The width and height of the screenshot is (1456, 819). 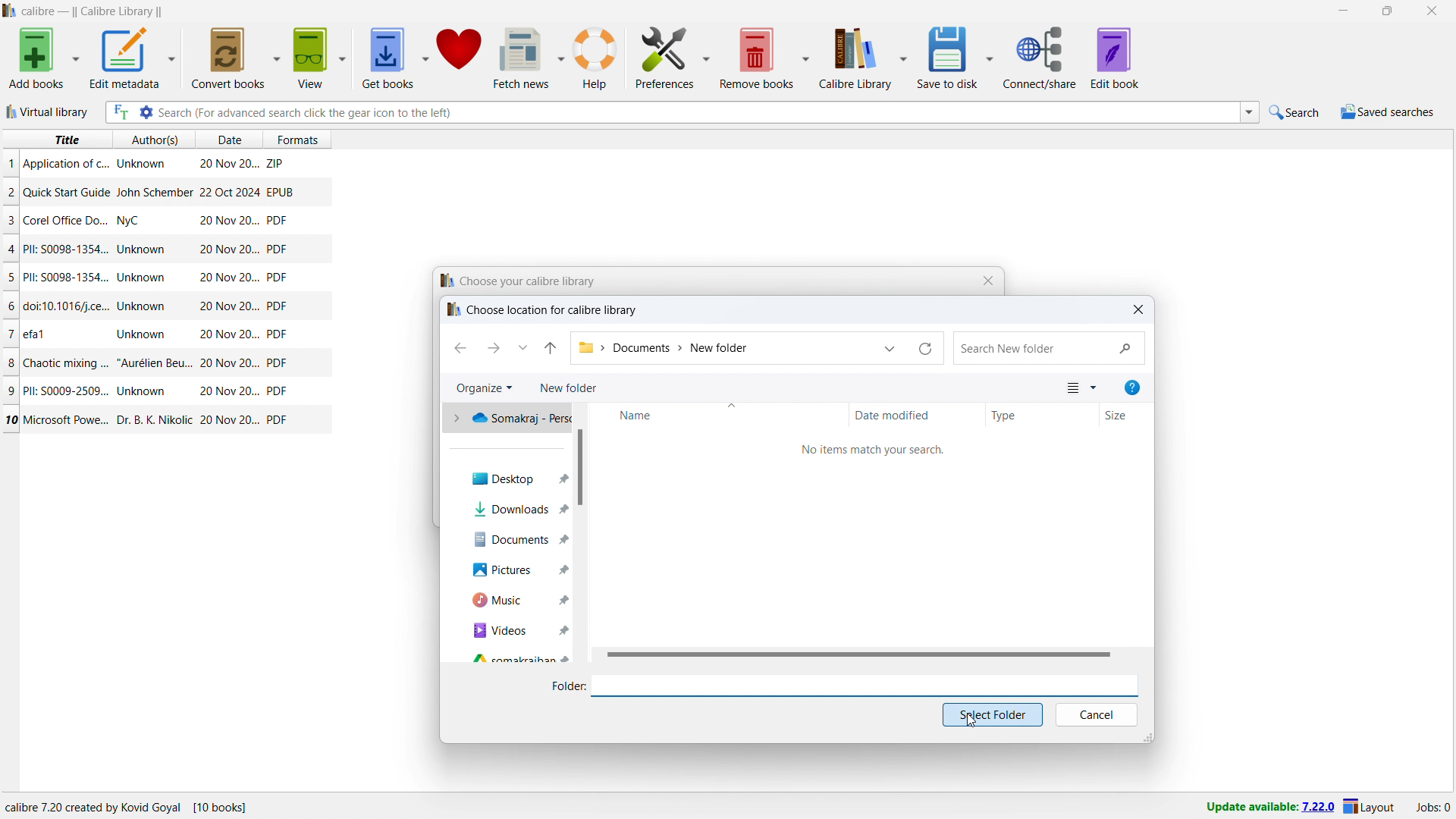 What do you see at coordinates (155, 140) in the screenshot?
I see `authors` at bounding box center [155, 140].